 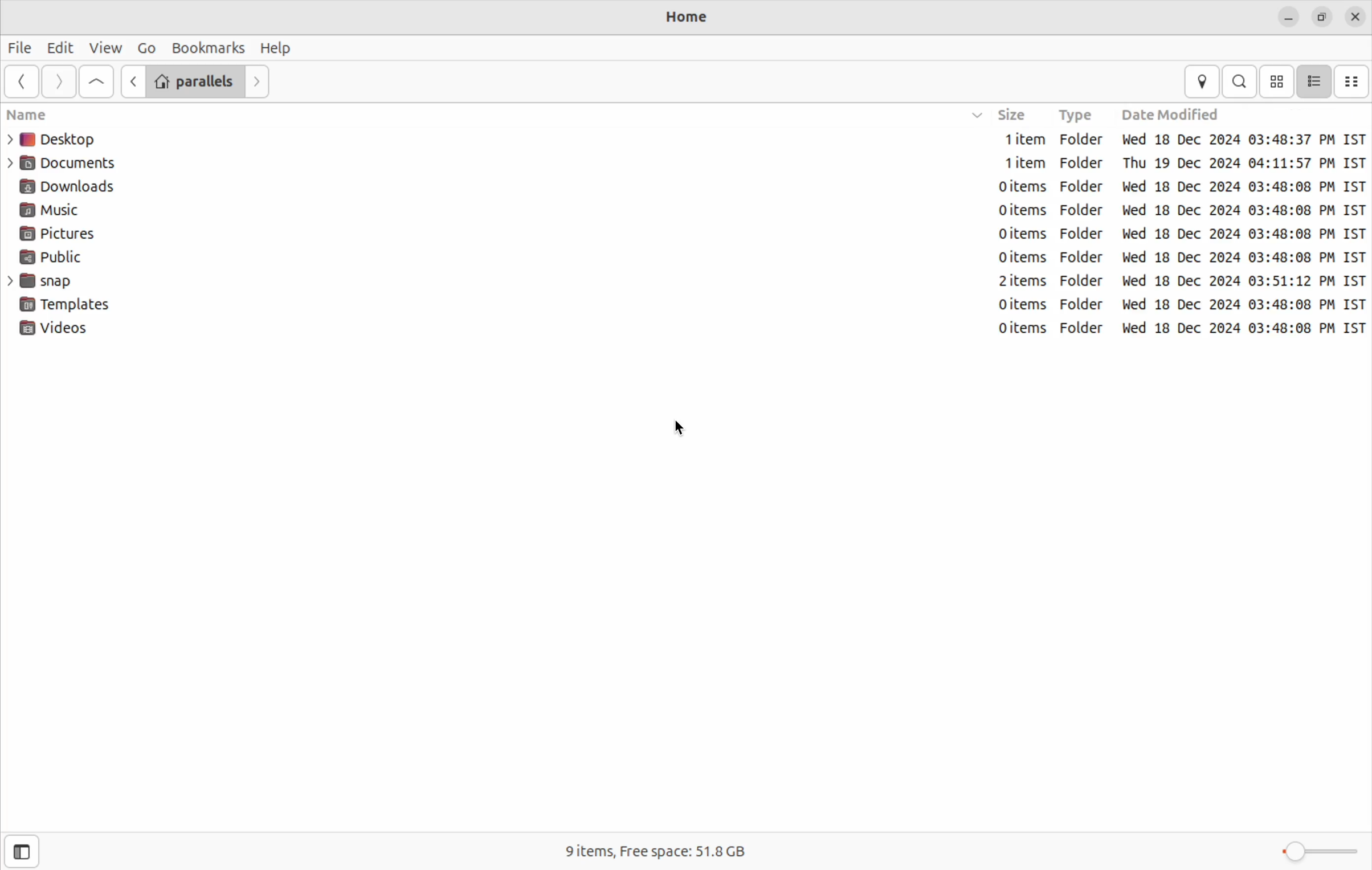 What do you see at coordinates (145, 47) in the screenshot?
I see `Go` at bounding box center [145, 47].